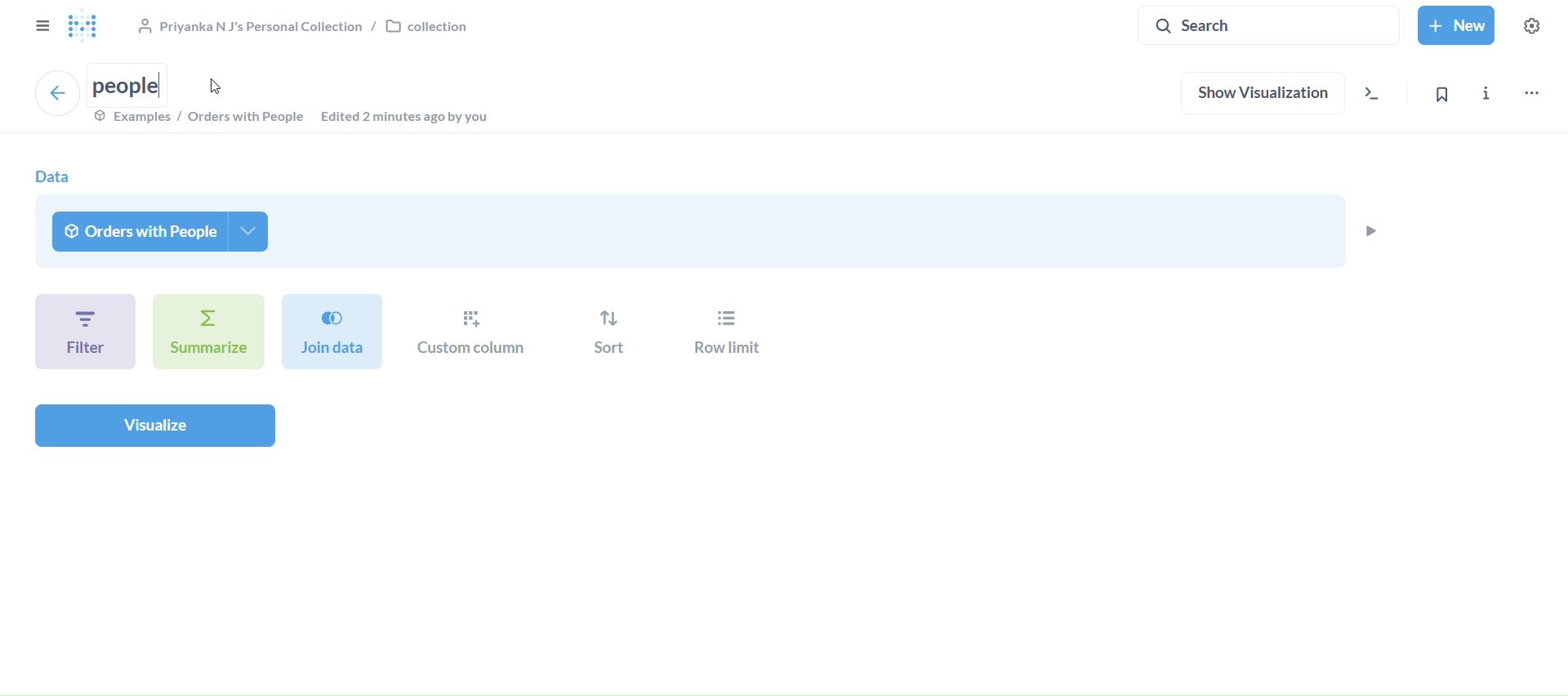 This screenshot has width=1568, height=696. I want to click on people, so click(133, 83).